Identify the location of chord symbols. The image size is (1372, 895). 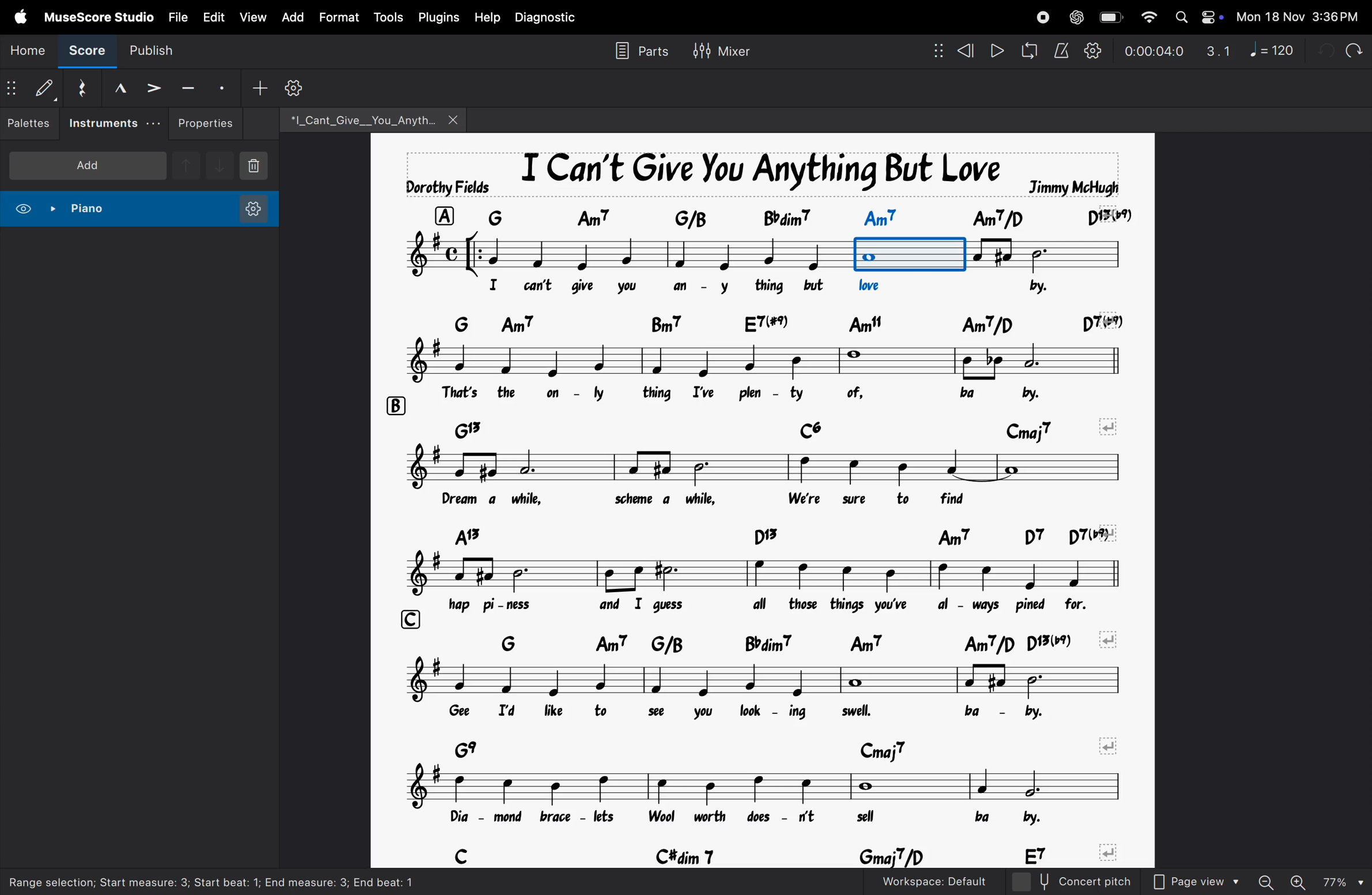
(775, 852).